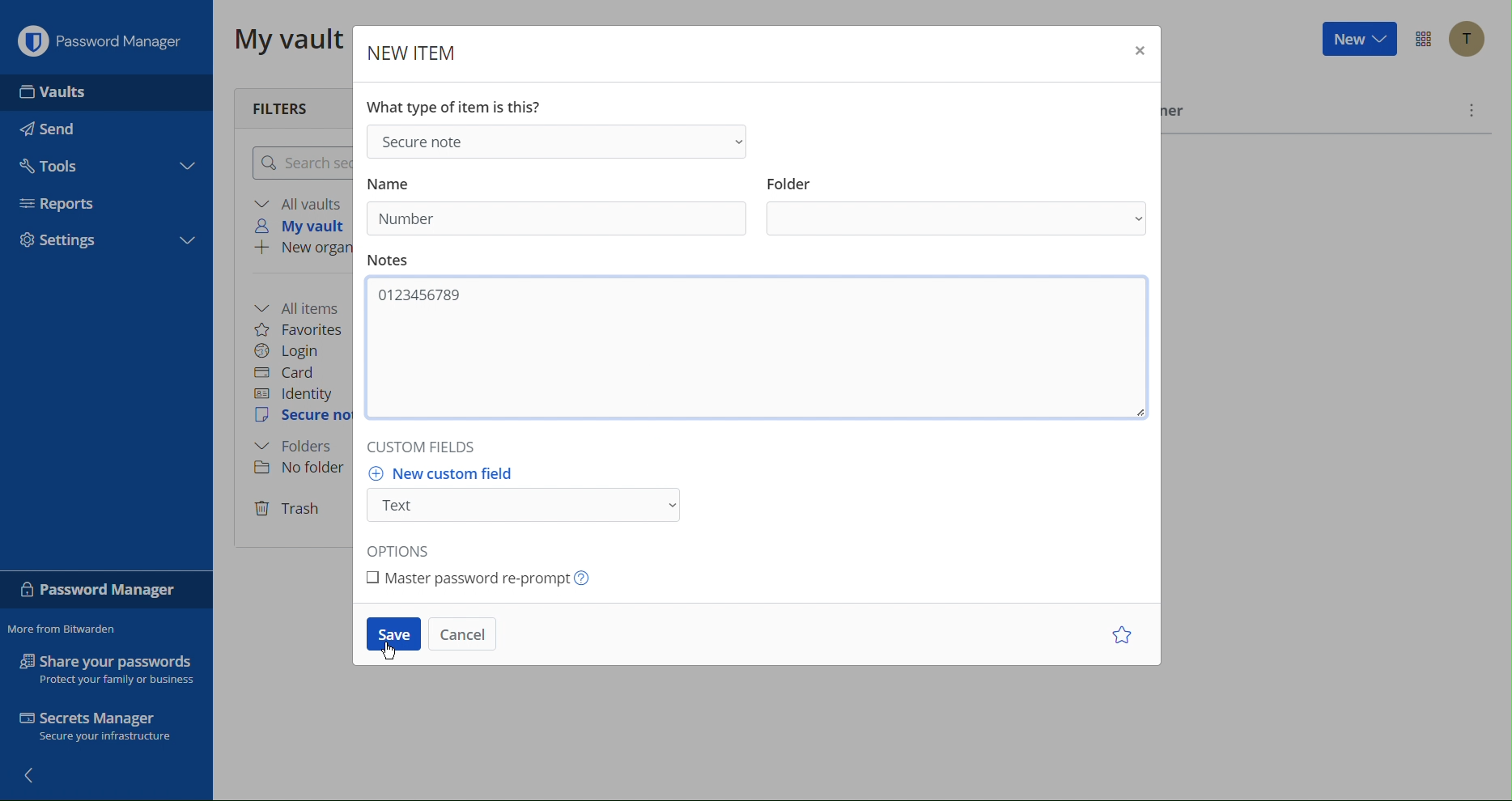  I want to click on Close, so click(1137, 51).